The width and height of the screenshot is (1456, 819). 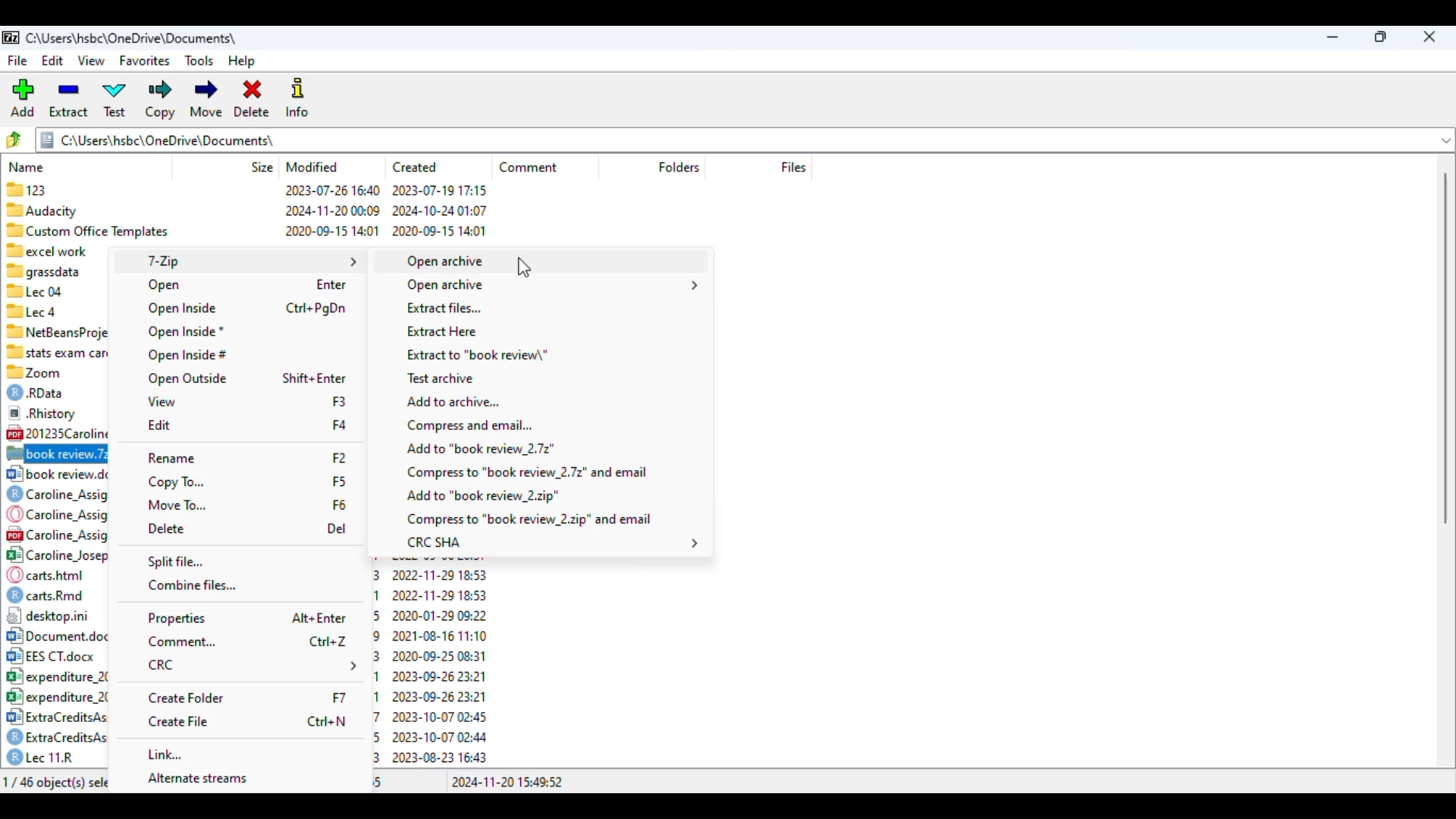 I want to click on size, so click(x=262, y=167).